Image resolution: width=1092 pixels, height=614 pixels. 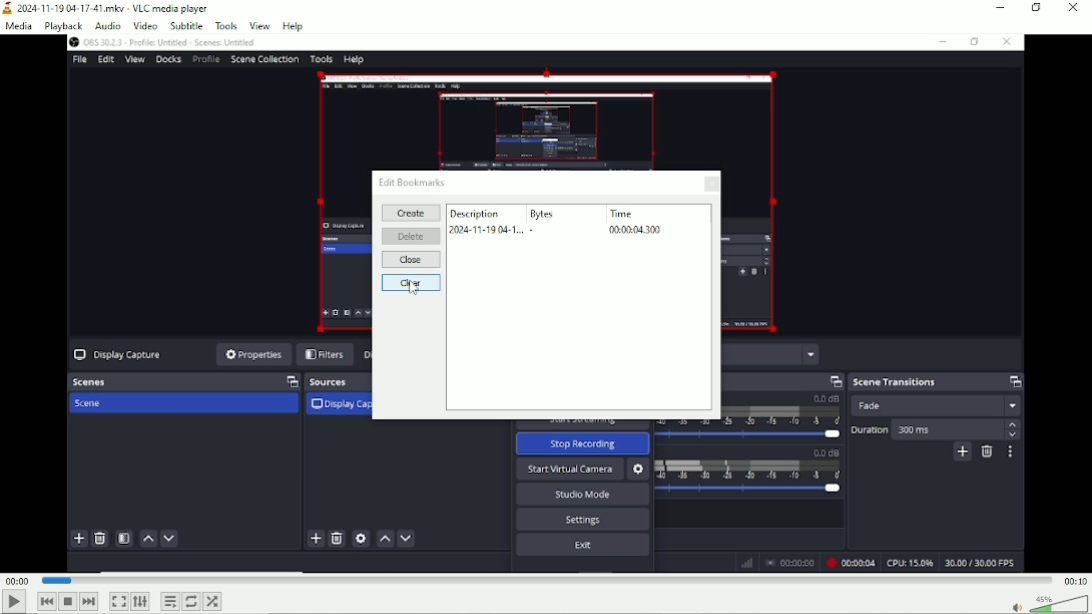 What do you see at coordinates (1074, 581) in the screenshot?
I see `00:10` at bounding box center [1074, 581].